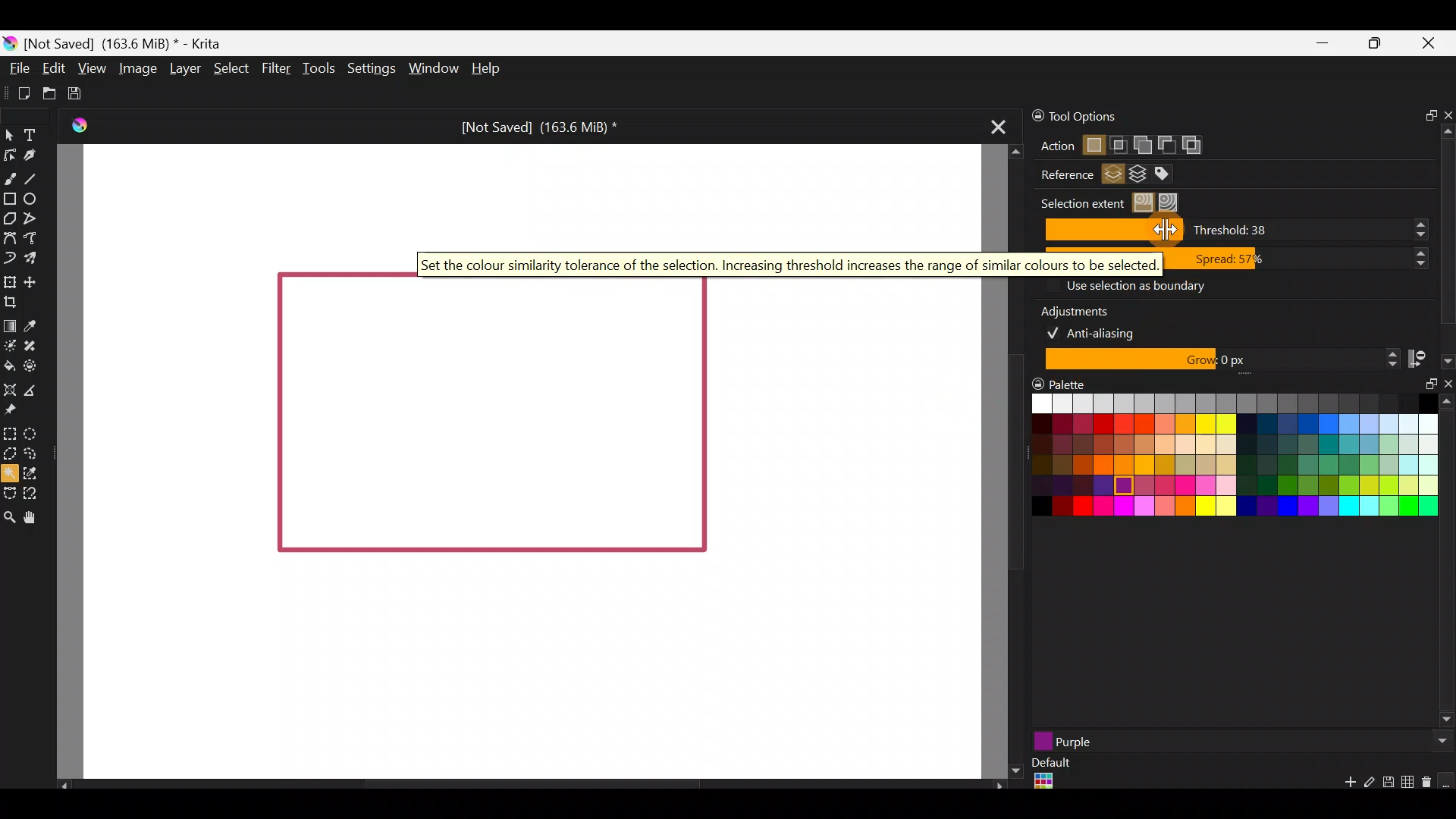  I want to click on Float docker, so click(1425, 113).